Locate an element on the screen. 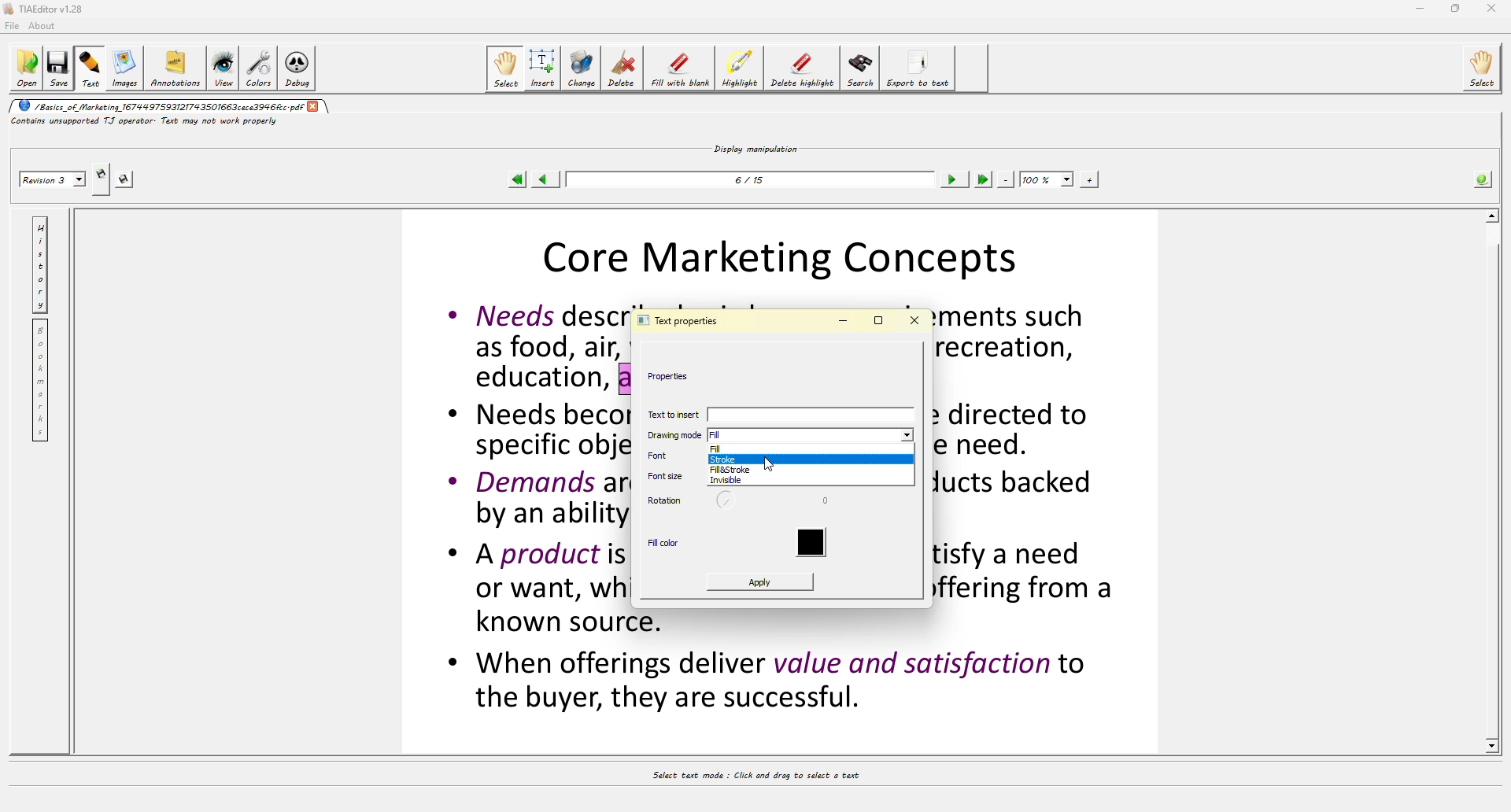 The width and height of the screenshot is (1511, 812). Core Marketing Concepts is located at coordinates (790, 255).